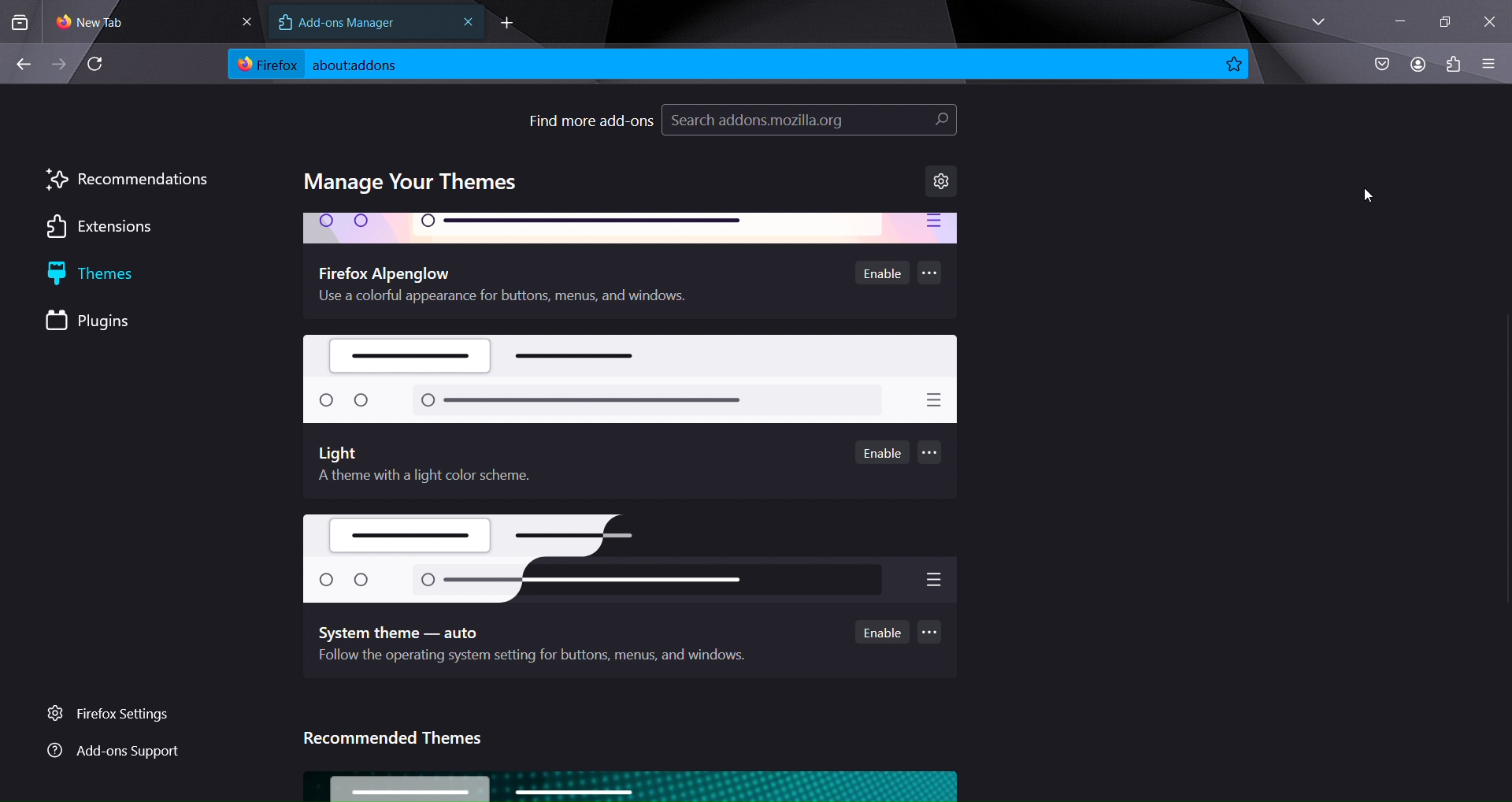  What do you see at coordinates (632, 228) in the screenshot?
I see `firefox alpenglow` at bounding box center [632, 228].